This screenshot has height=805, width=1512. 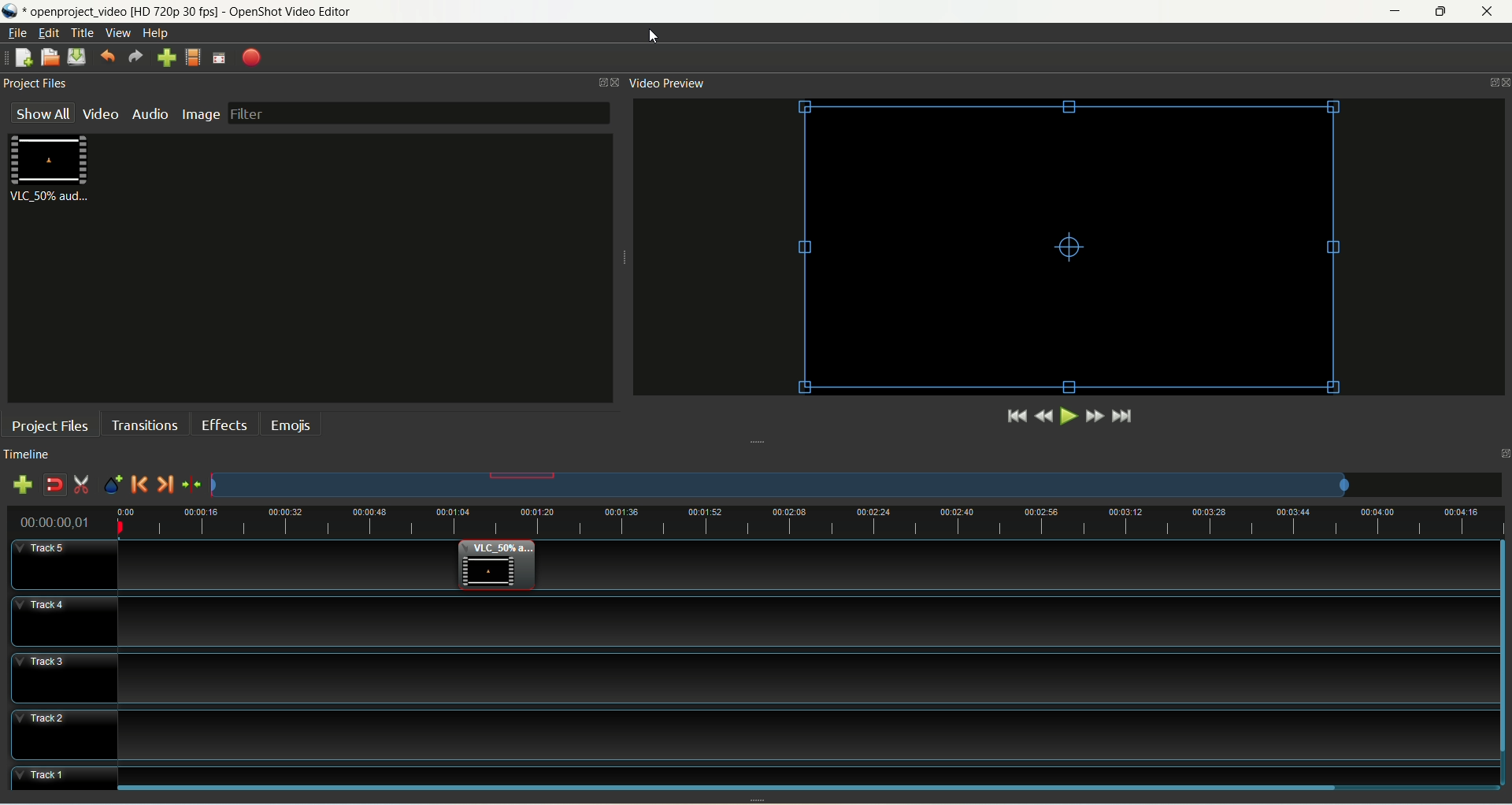 What do you see at coordinates (649, 35) in the screenshot?
I see `cursor` at bounding box center [649, 35].